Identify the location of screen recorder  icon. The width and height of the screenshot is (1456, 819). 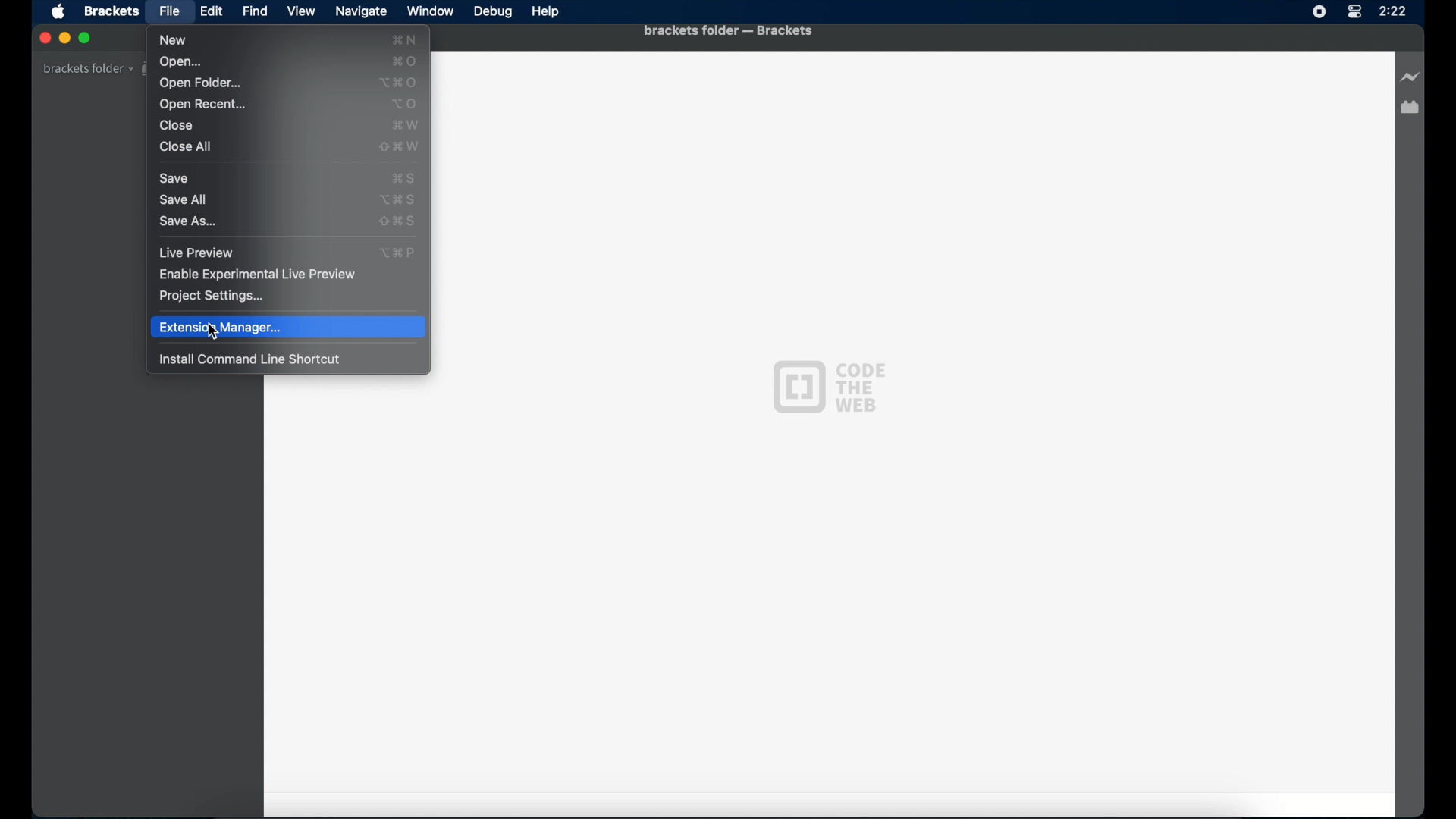
(1319, 12).